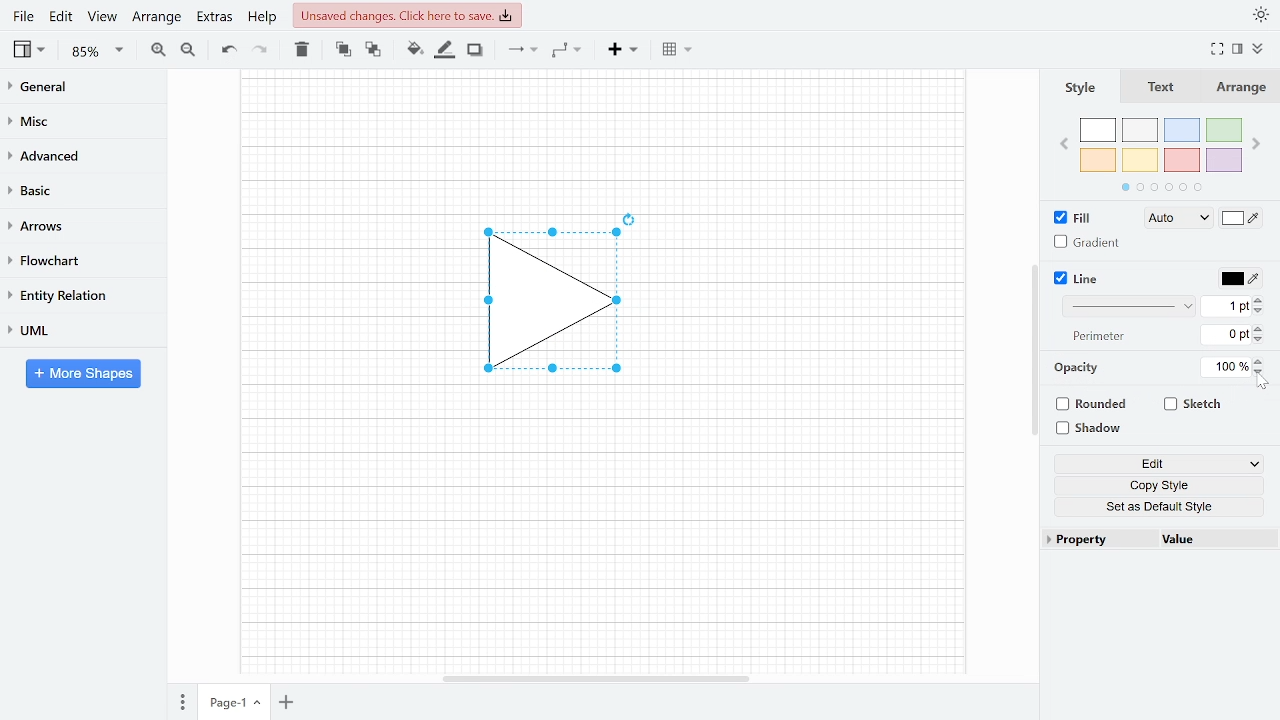 The height and width of the screenshot is (720, 1280). I want to click on To back, so click(371, 48).